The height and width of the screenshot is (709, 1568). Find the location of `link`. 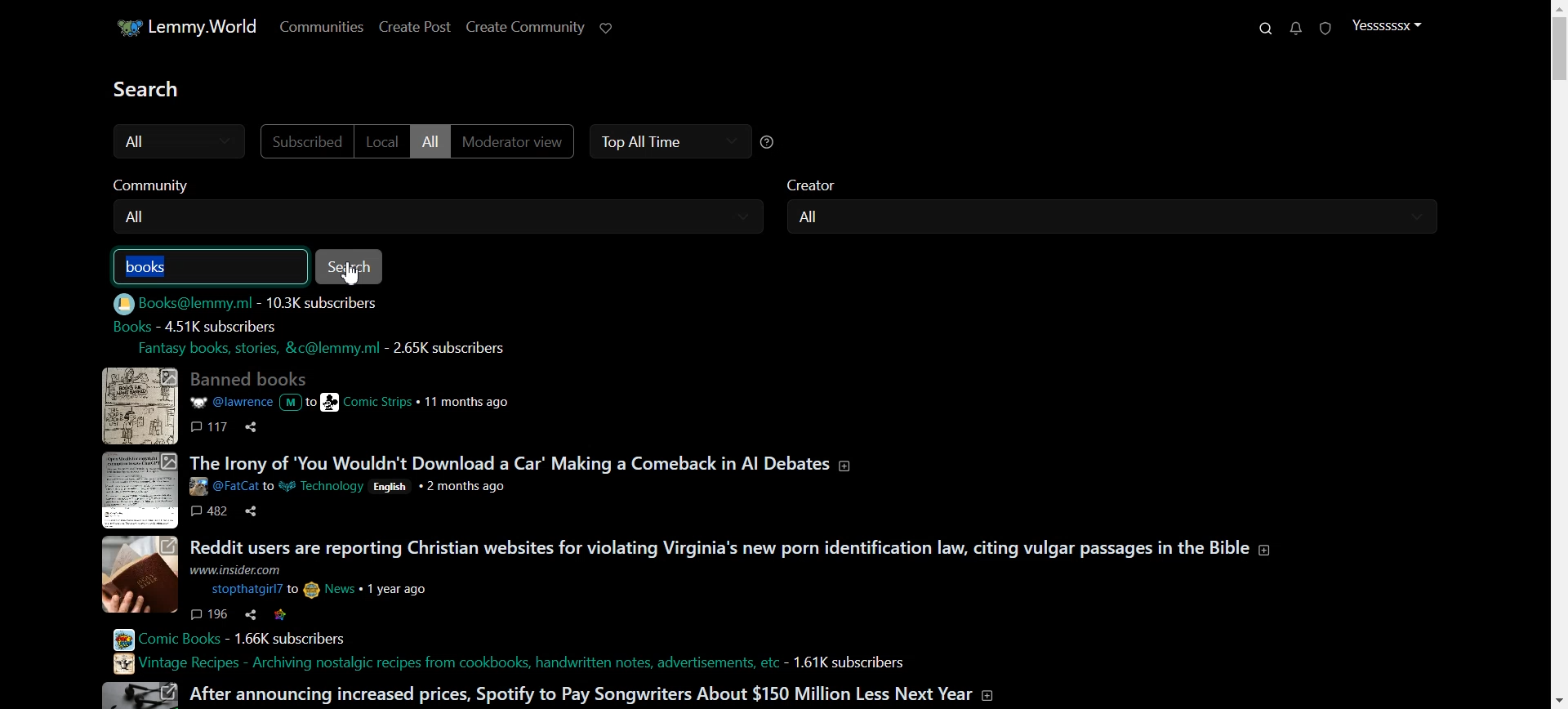

link is located at coordinates (128, 325).